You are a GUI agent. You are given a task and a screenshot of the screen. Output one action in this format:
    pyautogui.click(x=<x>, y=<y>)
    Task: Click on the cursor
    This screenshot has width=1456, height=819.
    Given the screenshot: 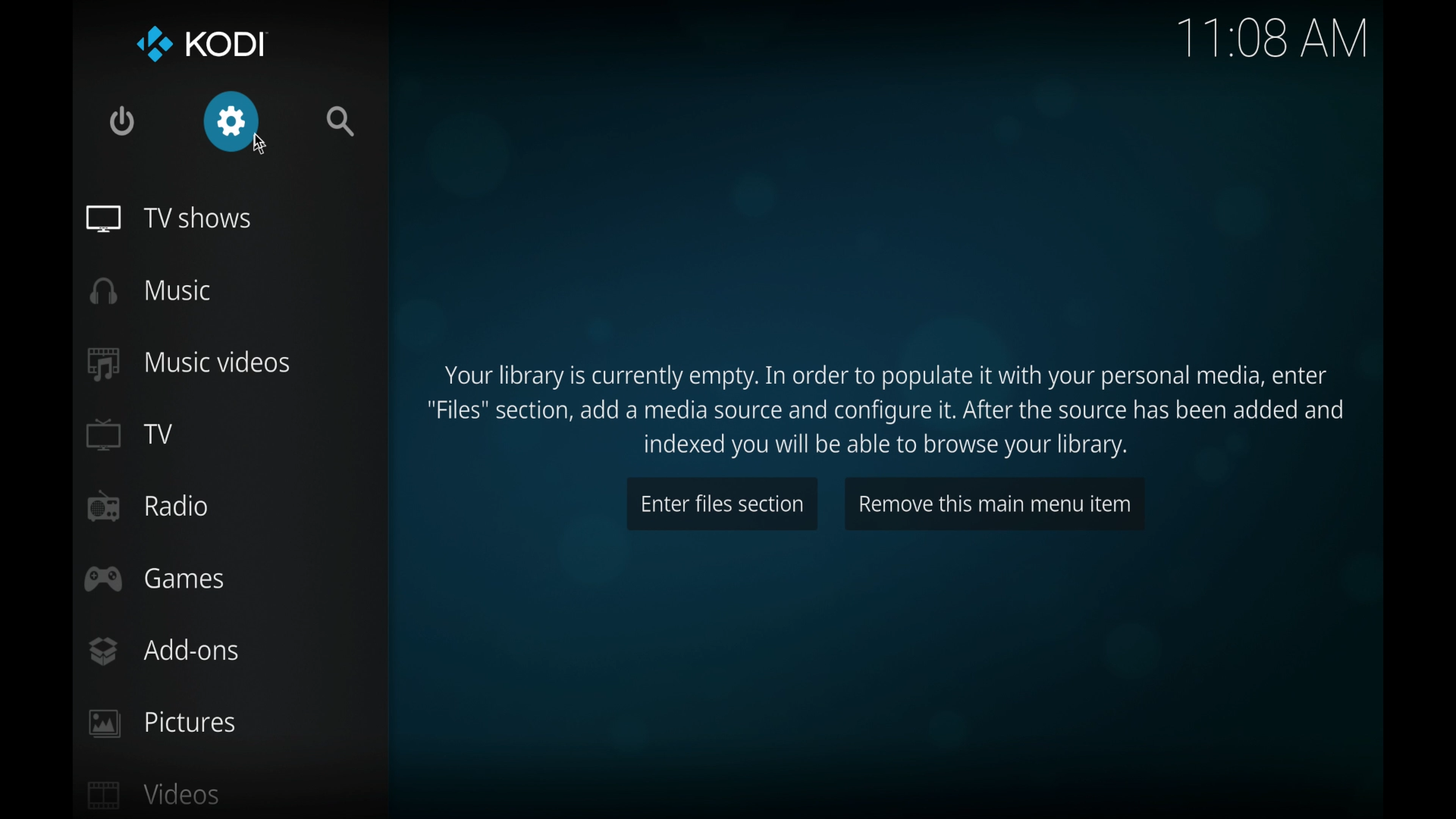 What is the action you would take?
    pyautogui.click(x=261, y=143)
    